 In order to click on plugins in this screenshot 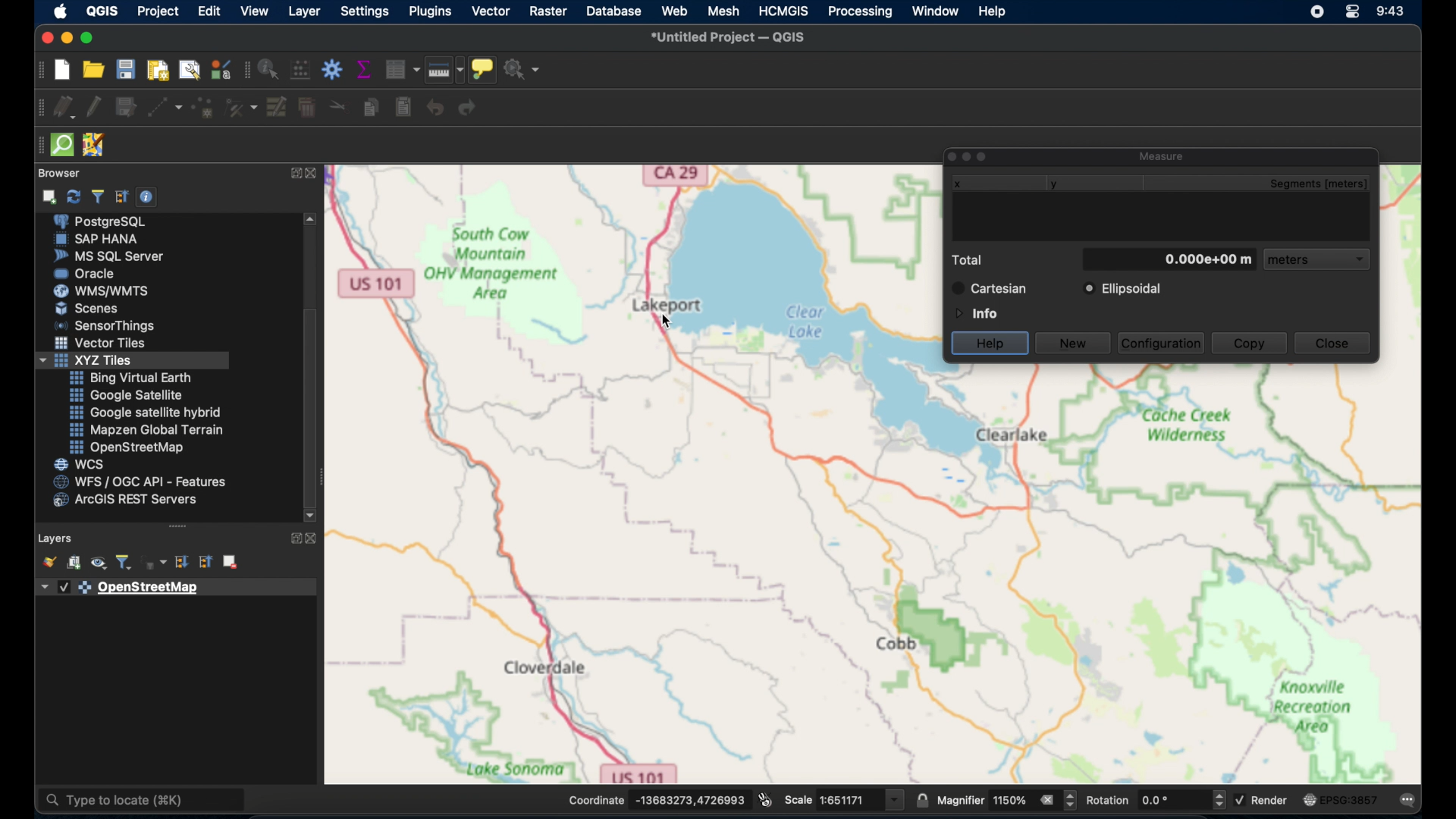, I will do `click(431, 11)`.